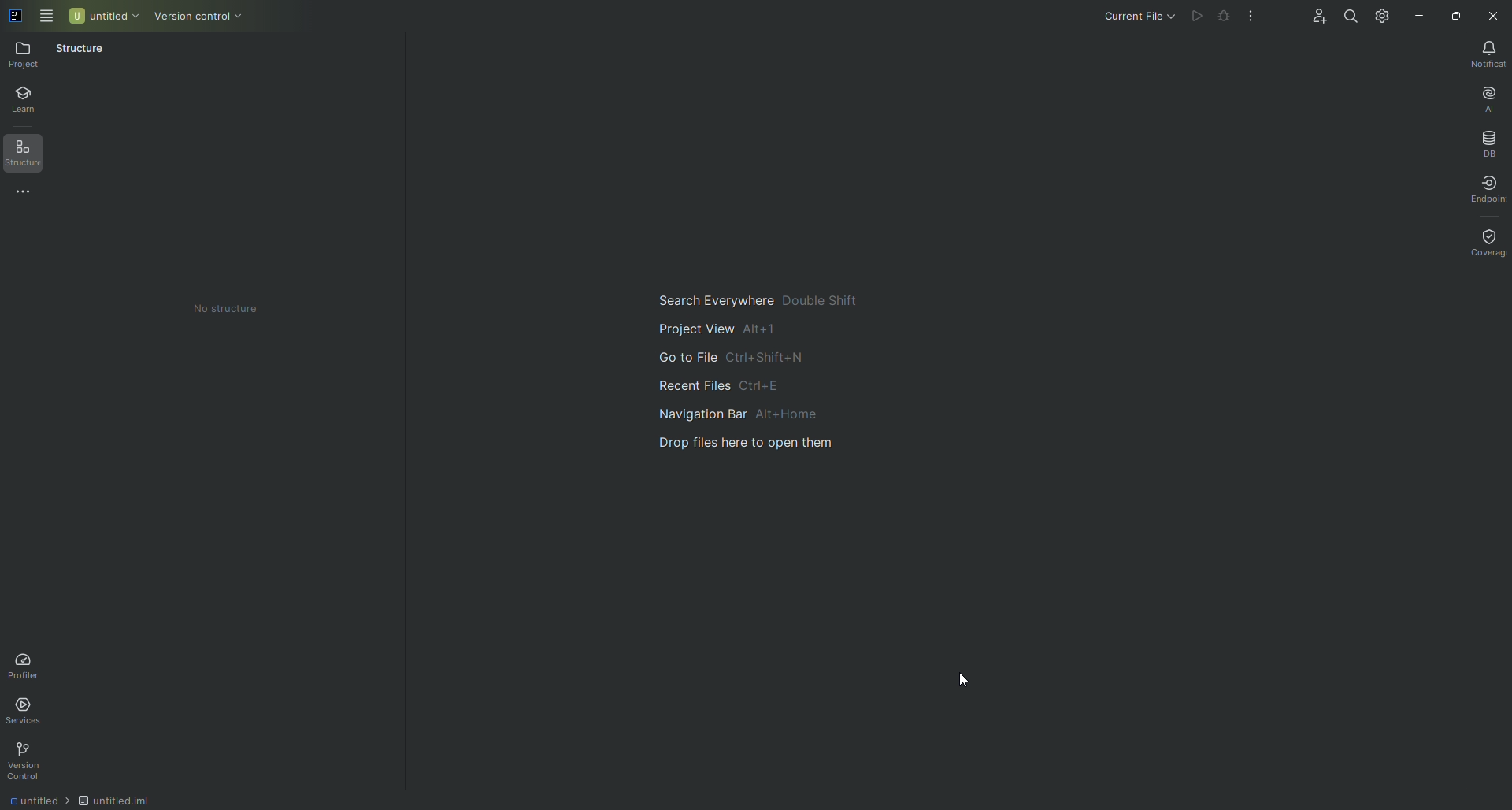 The width and height of the screenshot is (1512, 810). I want to click on File upload, so click(756, 443).